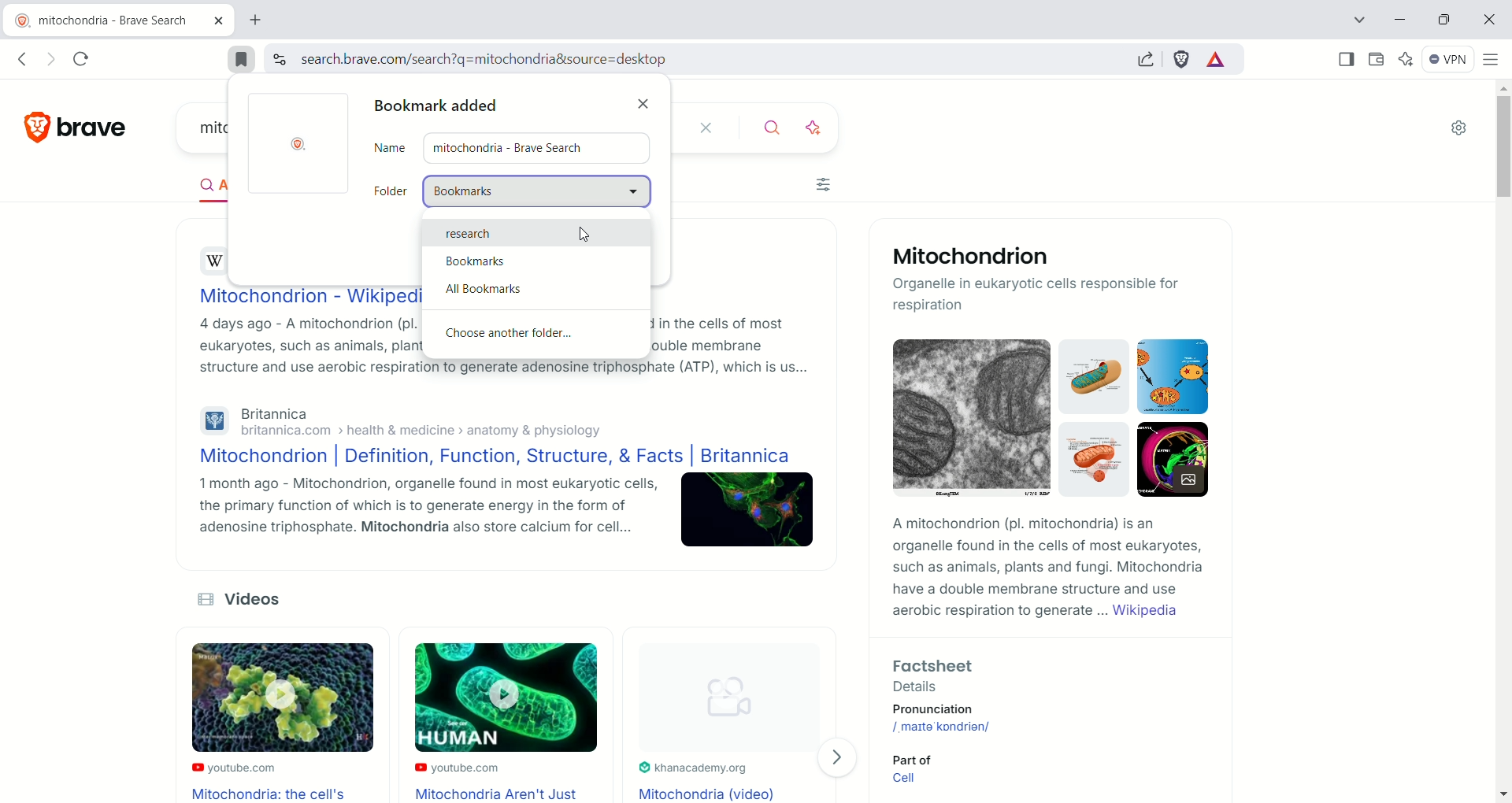 This screenshot has width=1512, height=803. I want to click on show sidebar, so click(1345, 58).